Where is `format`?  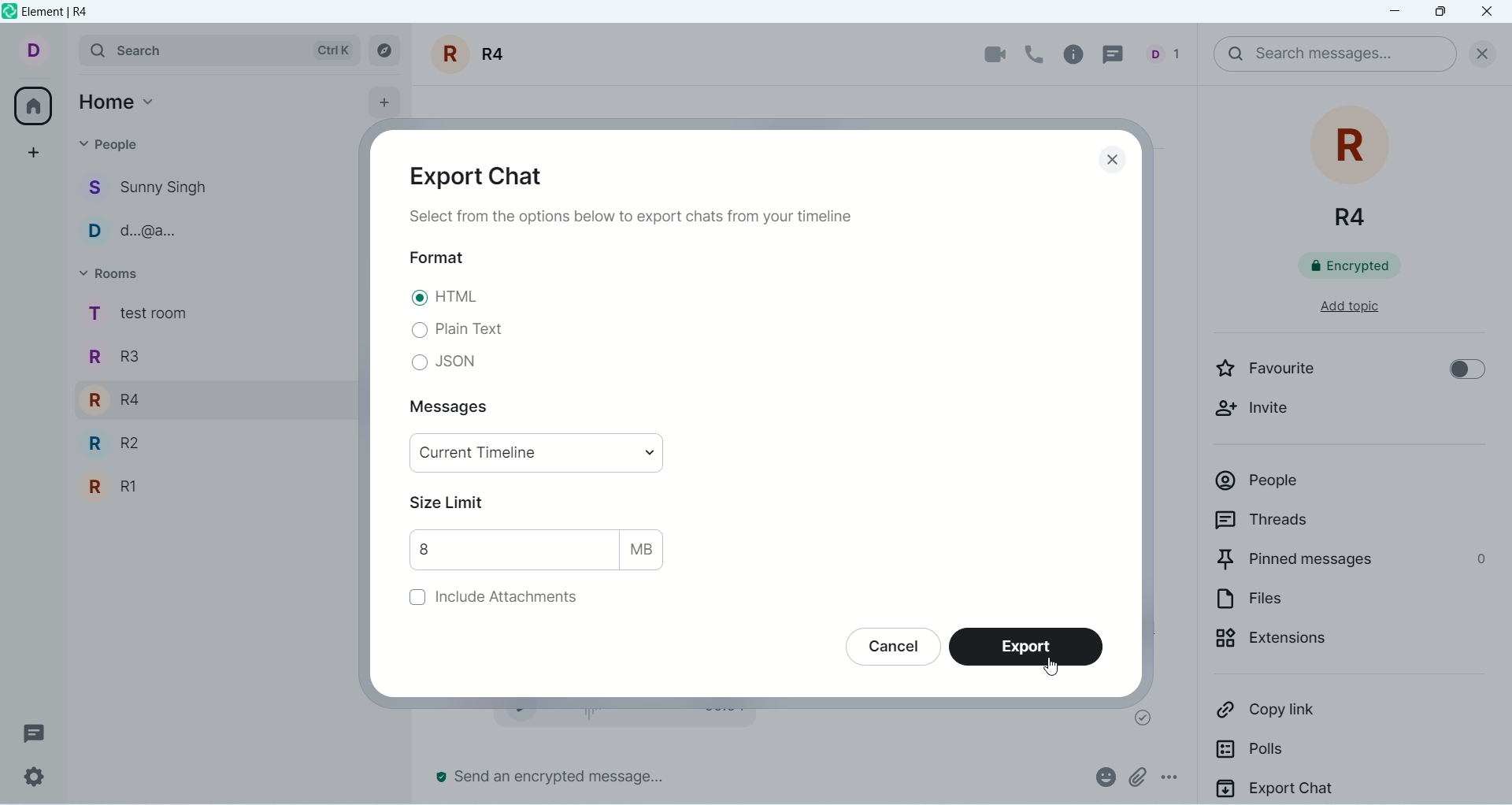
format is located at coordinates (437, 257).